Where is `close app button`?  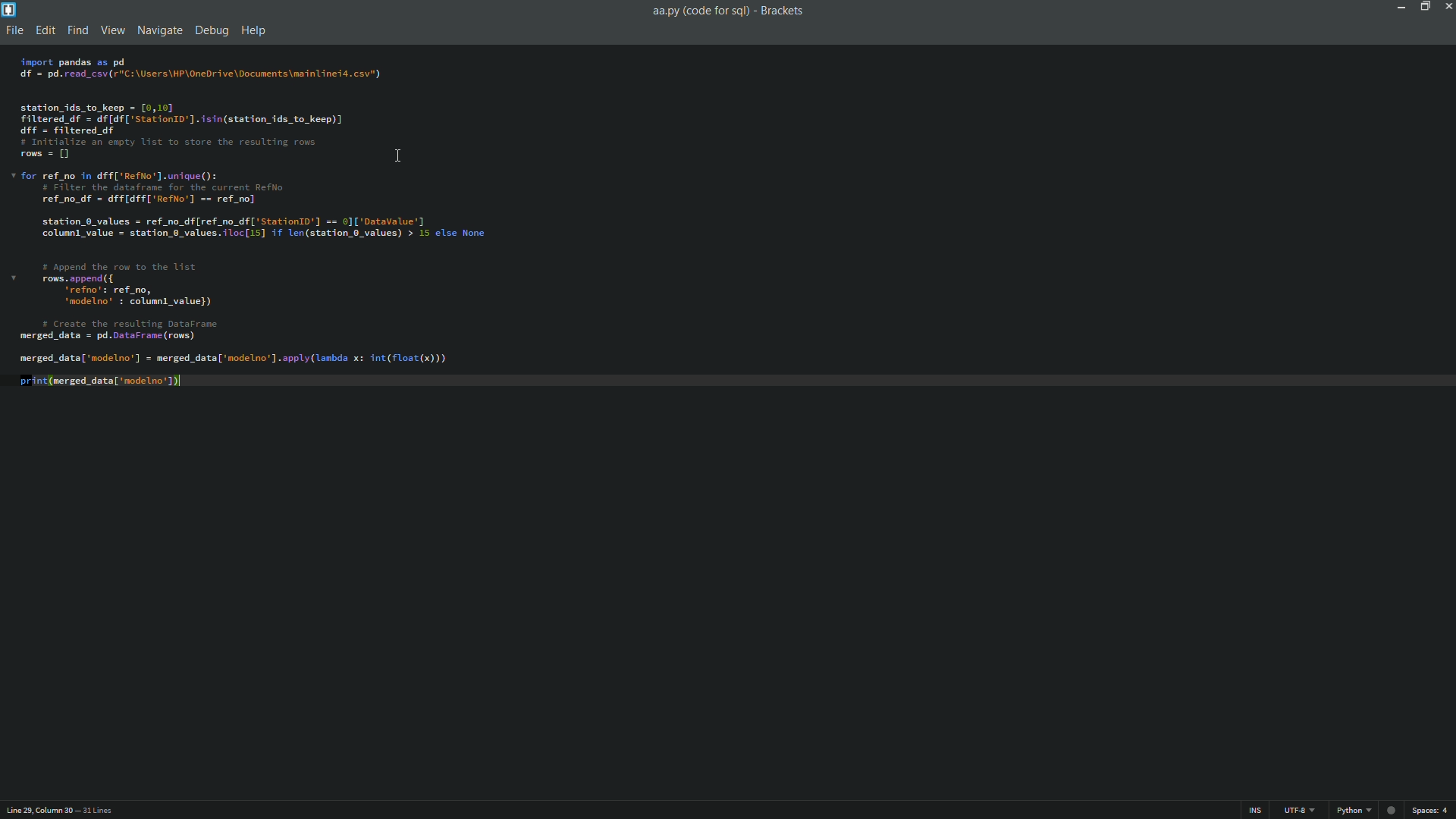
close app button is located at coordinates (1447, 6).